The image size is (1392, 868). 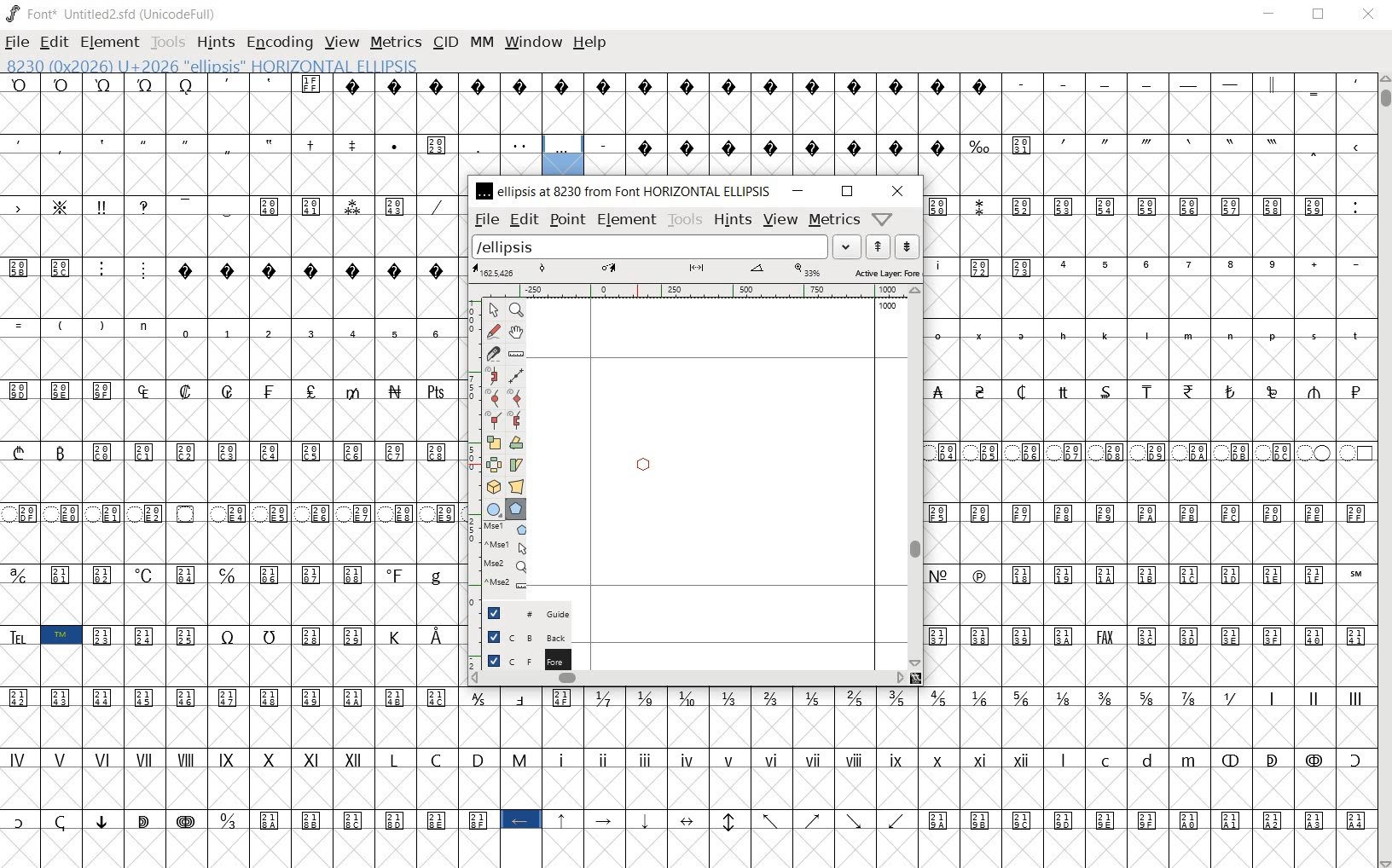 What do you see at coordinates (907, 246) in the screenshot?
I see `show the previous word on the list` at bounding box center [907, 246].